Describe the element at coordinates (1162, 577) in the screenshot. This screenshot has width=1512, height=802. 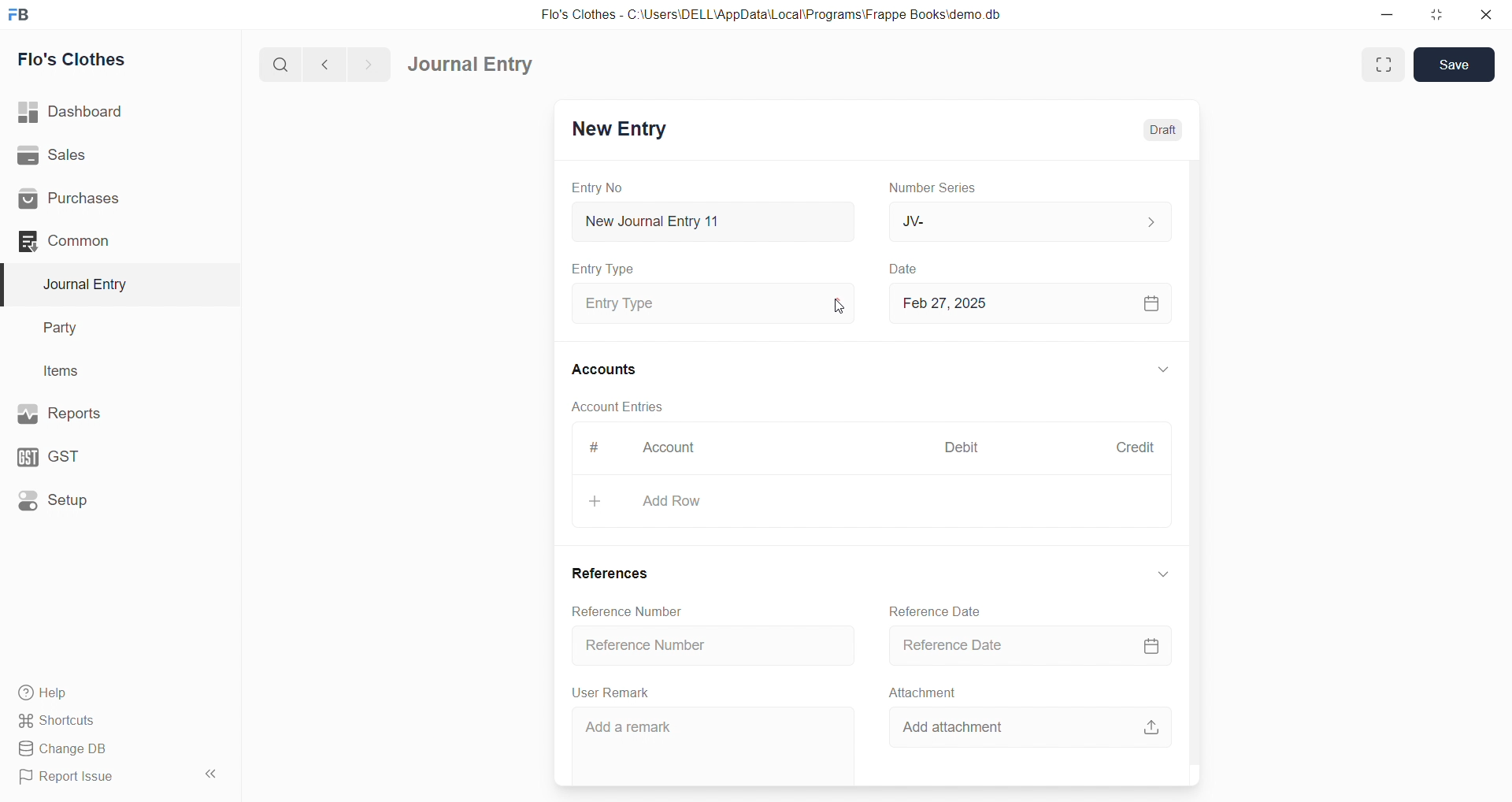
I see `EXPAND/COLLAPSE` at that location.